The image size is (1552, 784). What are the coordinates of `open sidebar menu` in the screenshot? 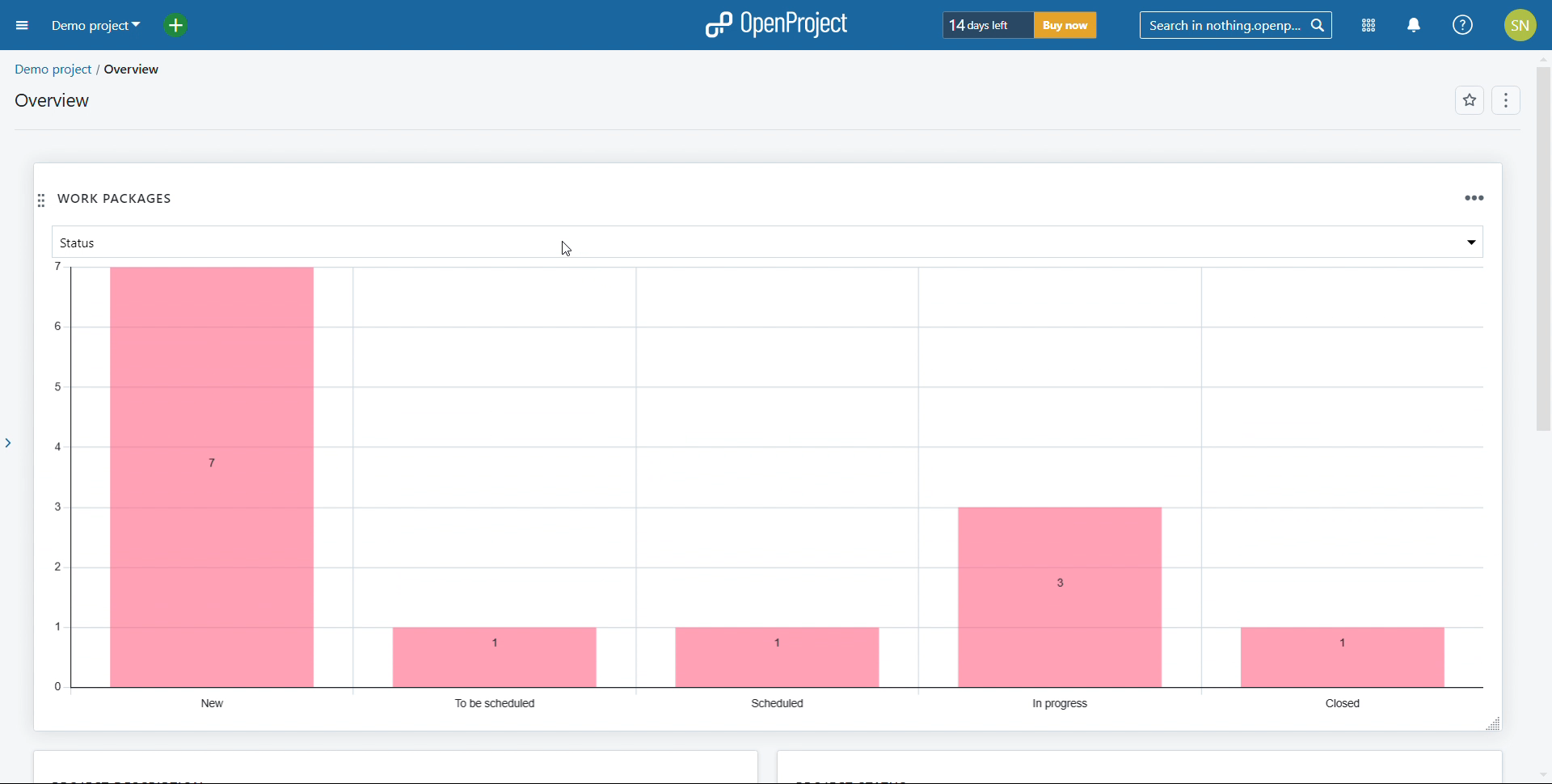 It's located at (22, 26).